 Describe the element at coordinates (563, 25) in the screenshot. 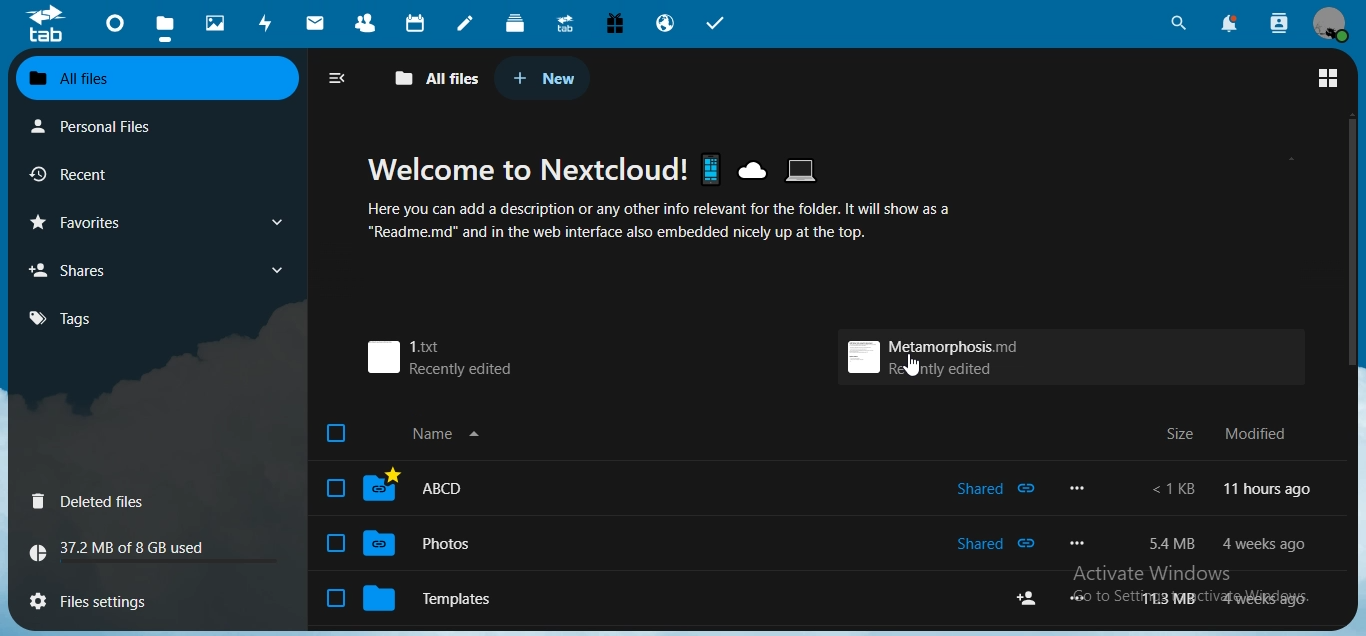

I see `upgrade` at that location.